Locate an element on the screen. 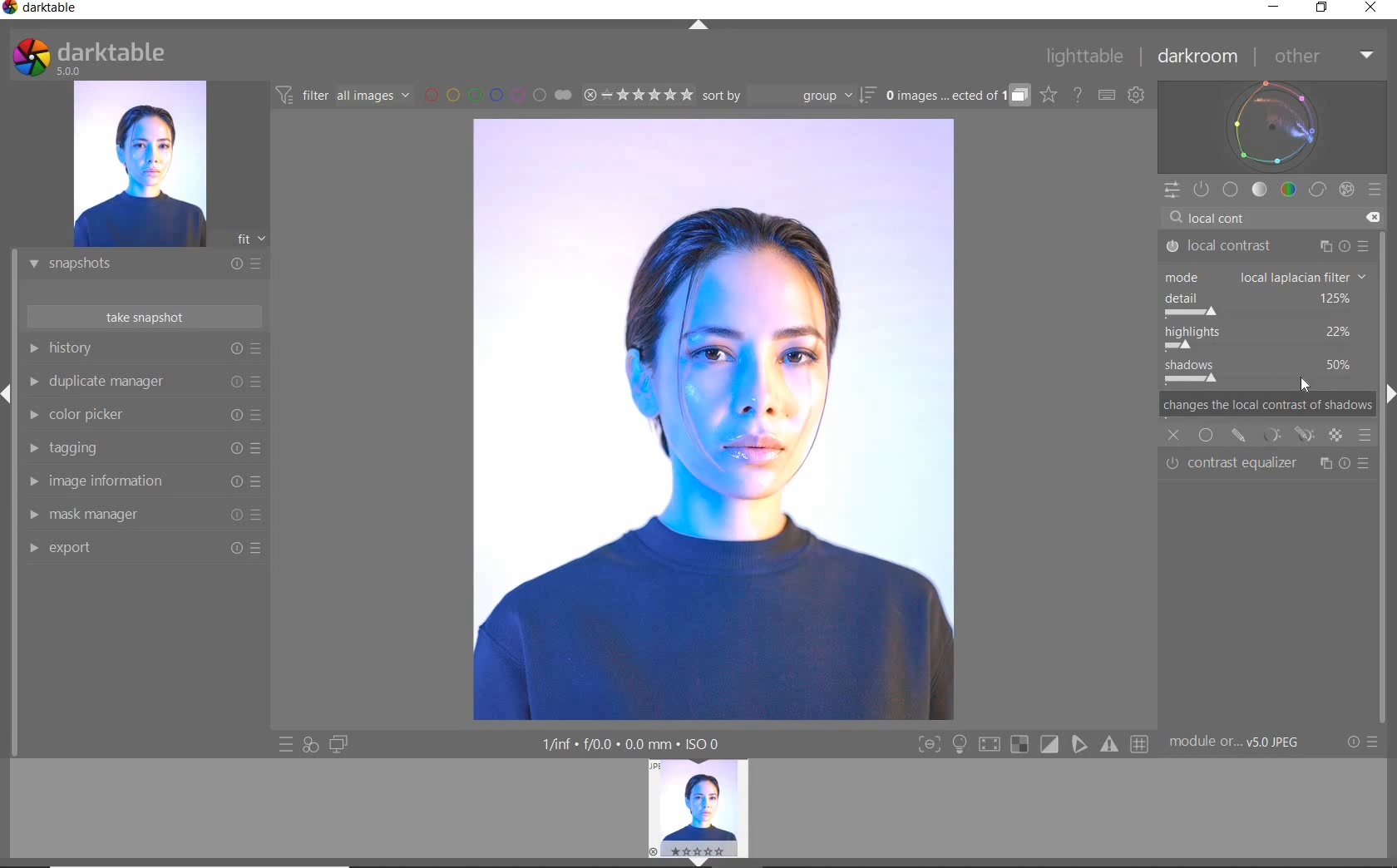 This screenshot has height=868, width=1397. QUICK ACCESS TO PRESET is located at coordinates (287, 746).